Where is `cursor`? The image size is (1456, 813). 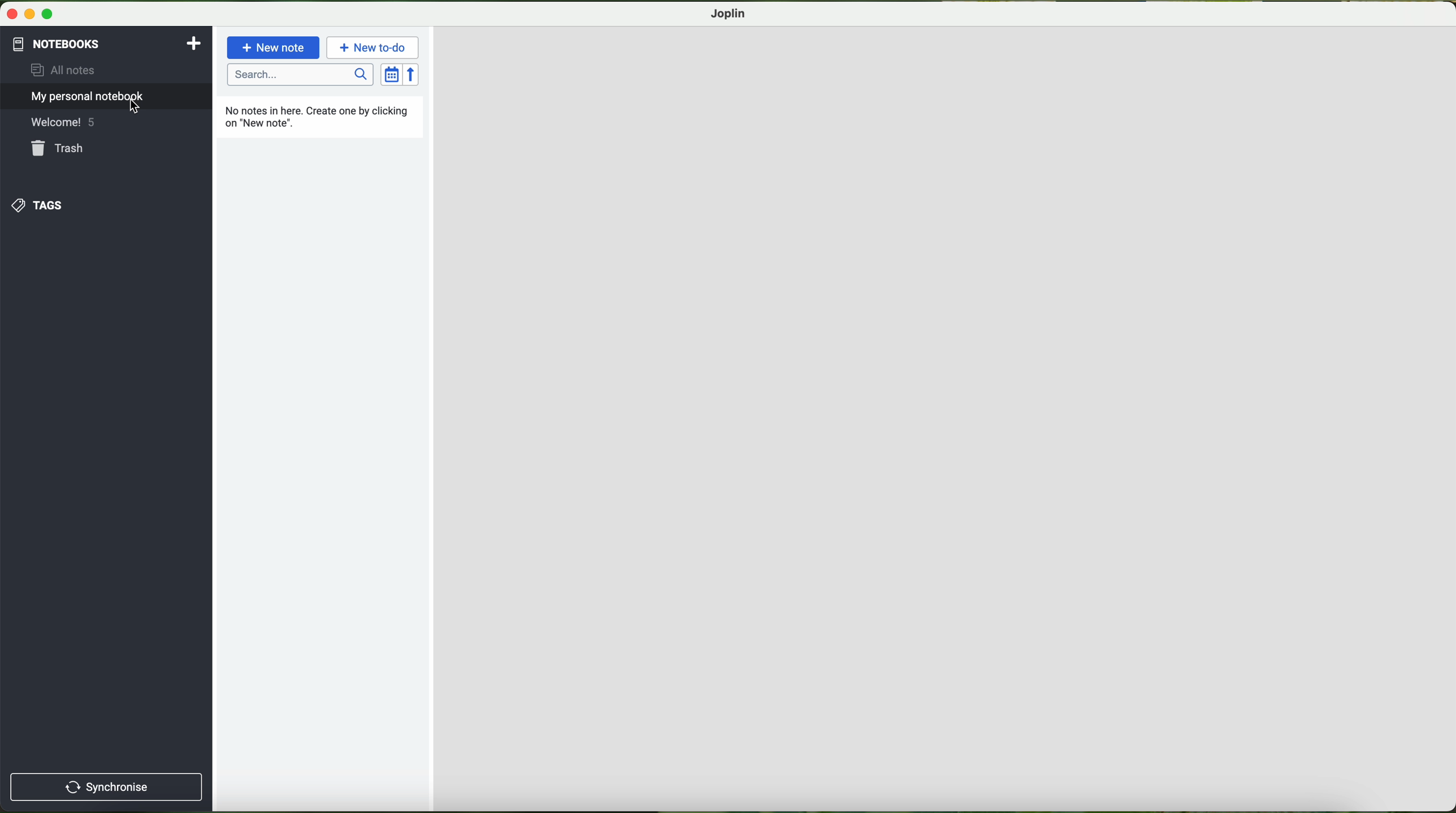 cursor is located at coordinates (135, 106).